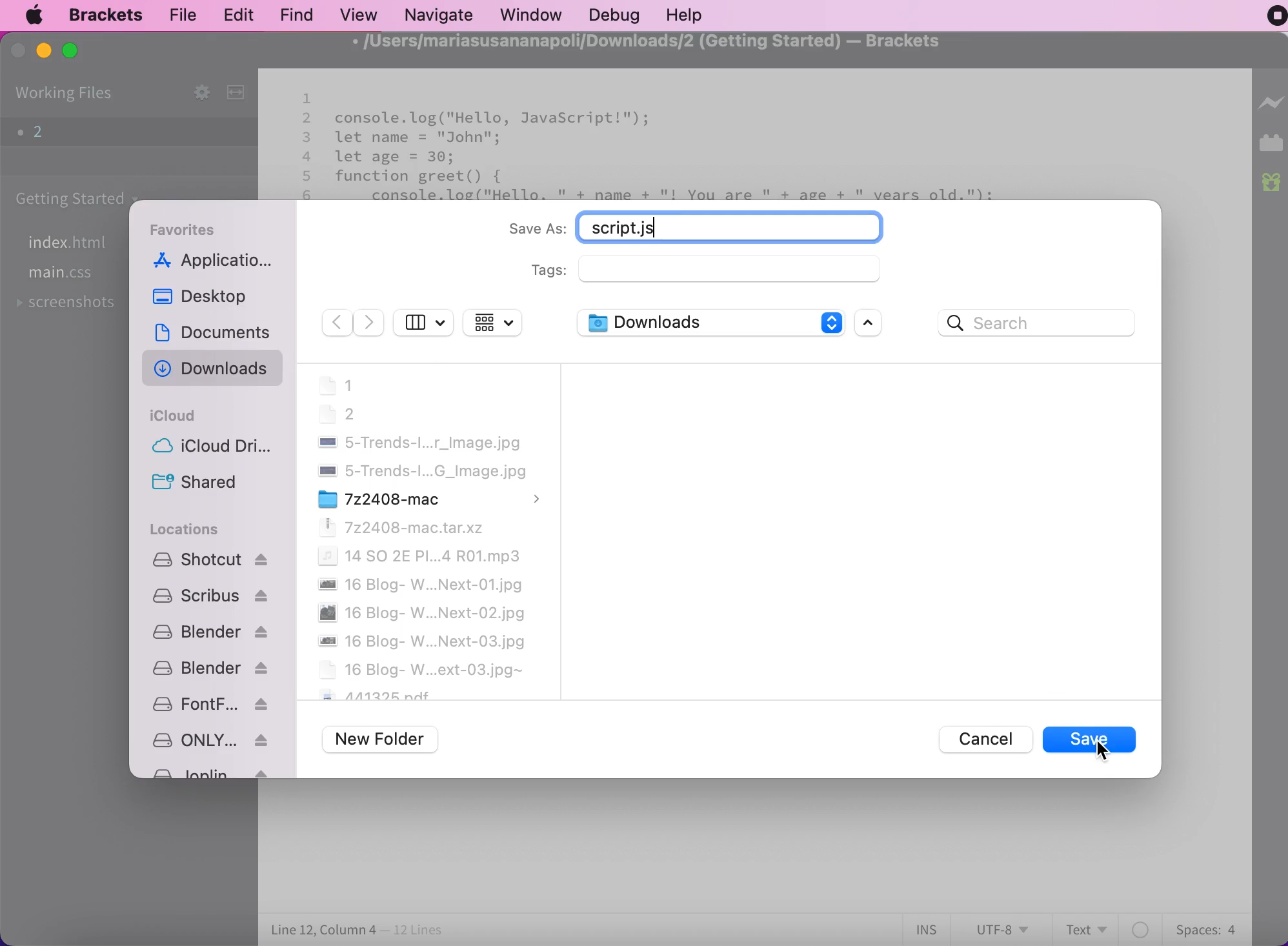  I want to click on live preview, so click(1271, 109).